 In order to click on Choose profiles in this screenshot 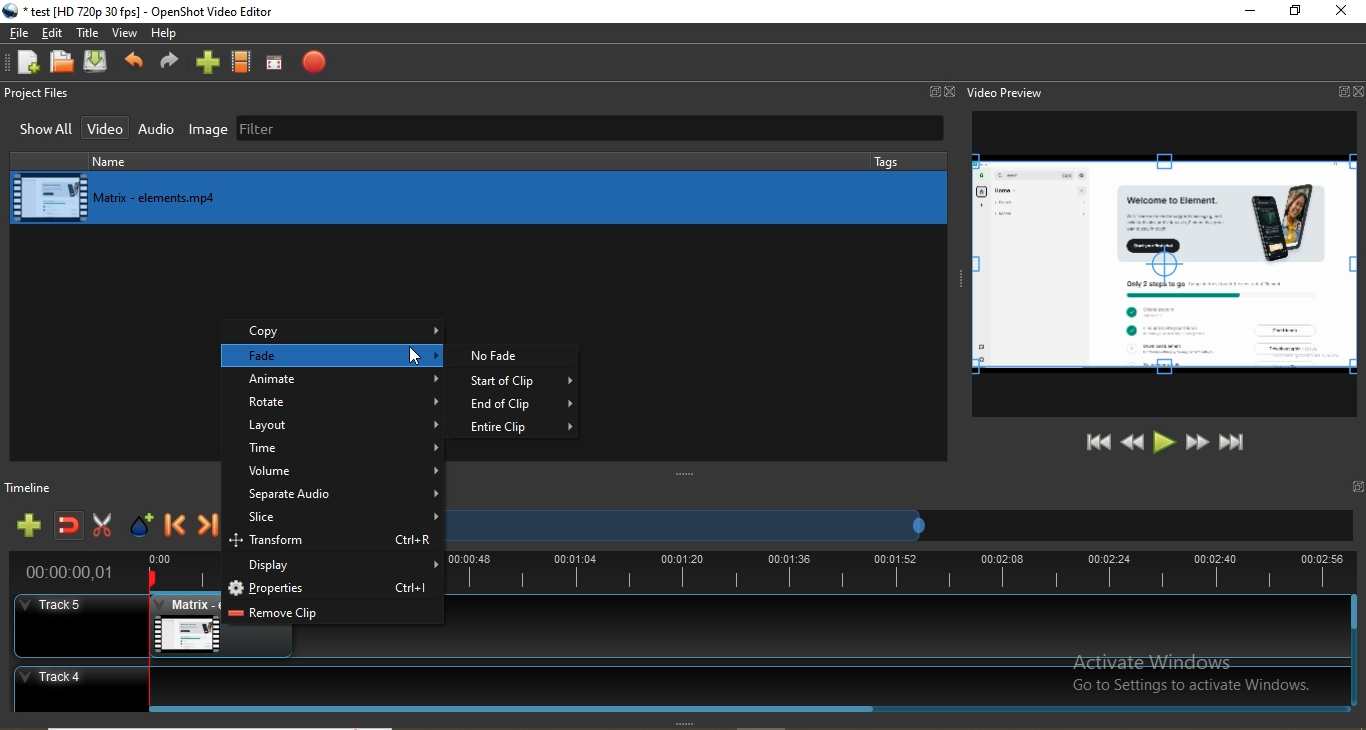, I will do `click(242, 62)`.